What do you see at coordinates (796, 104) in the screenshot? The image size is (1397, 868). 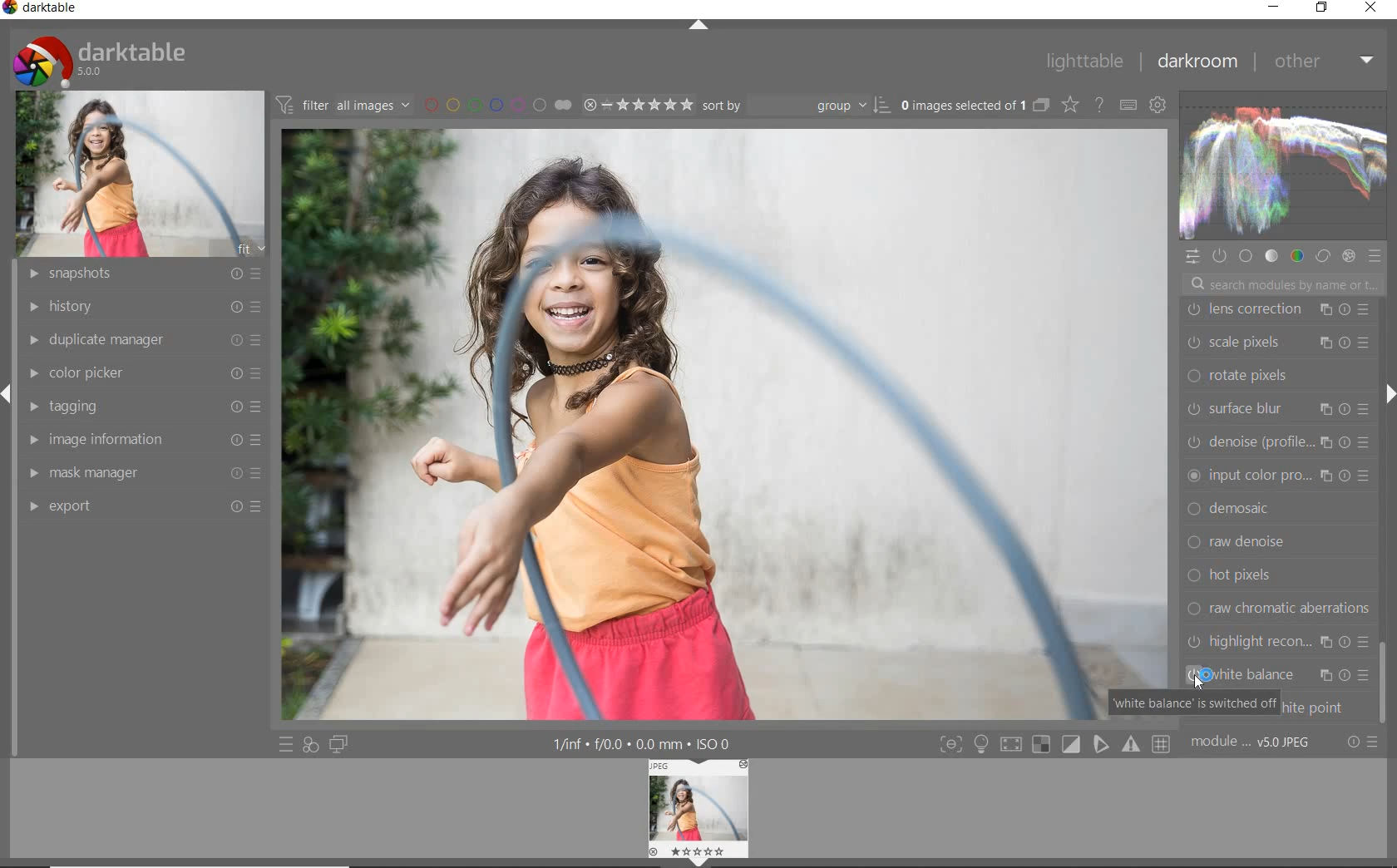 I see `sort` at bounding box center [796, 104].